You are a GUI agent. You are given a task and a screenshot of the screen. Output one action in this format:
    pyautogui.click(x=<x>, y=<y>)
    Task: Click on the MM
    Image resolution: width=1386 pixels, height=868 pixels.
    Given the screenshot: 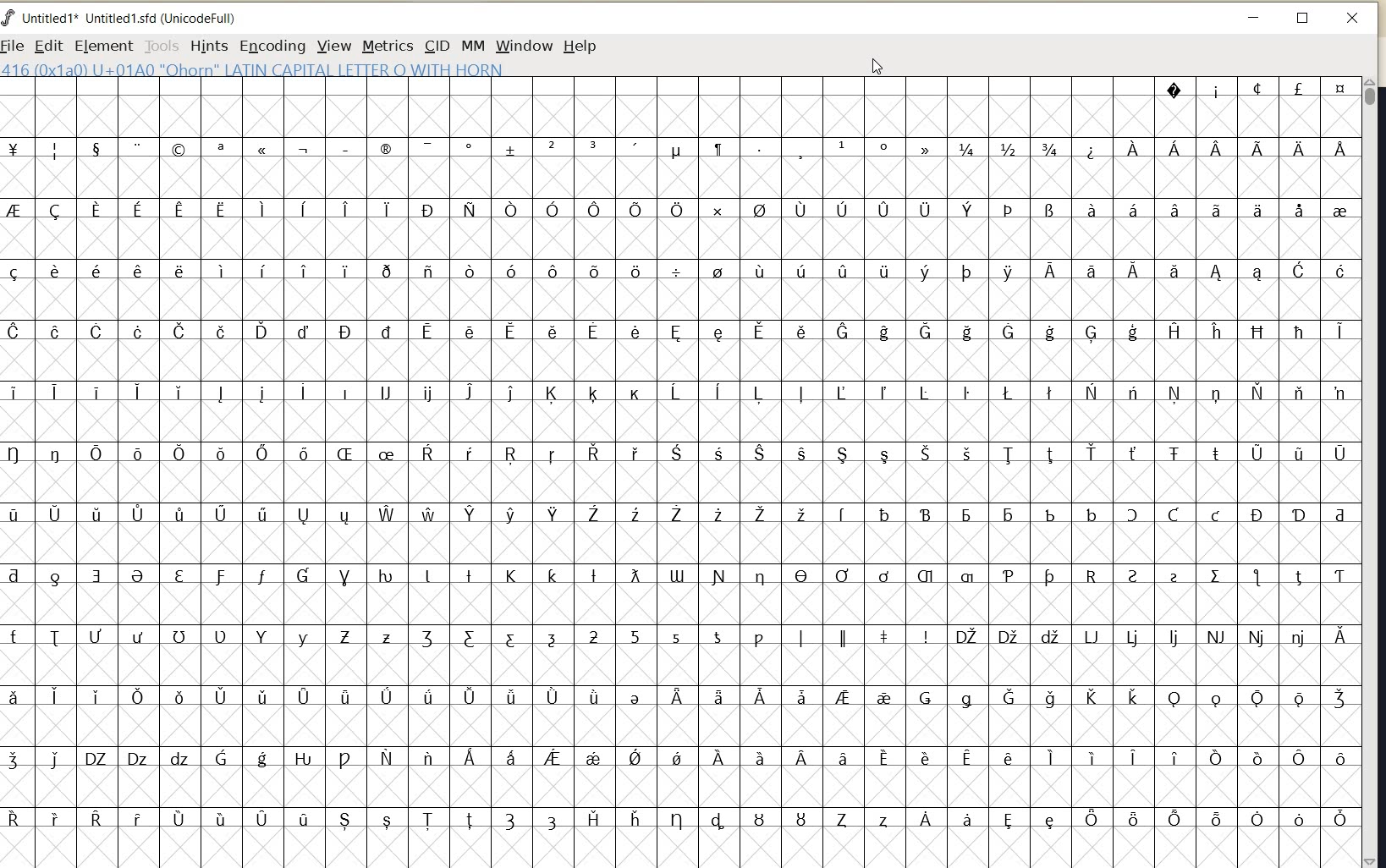 What is the action you would take?
    pyautogui.click(x=471, y=45)
    